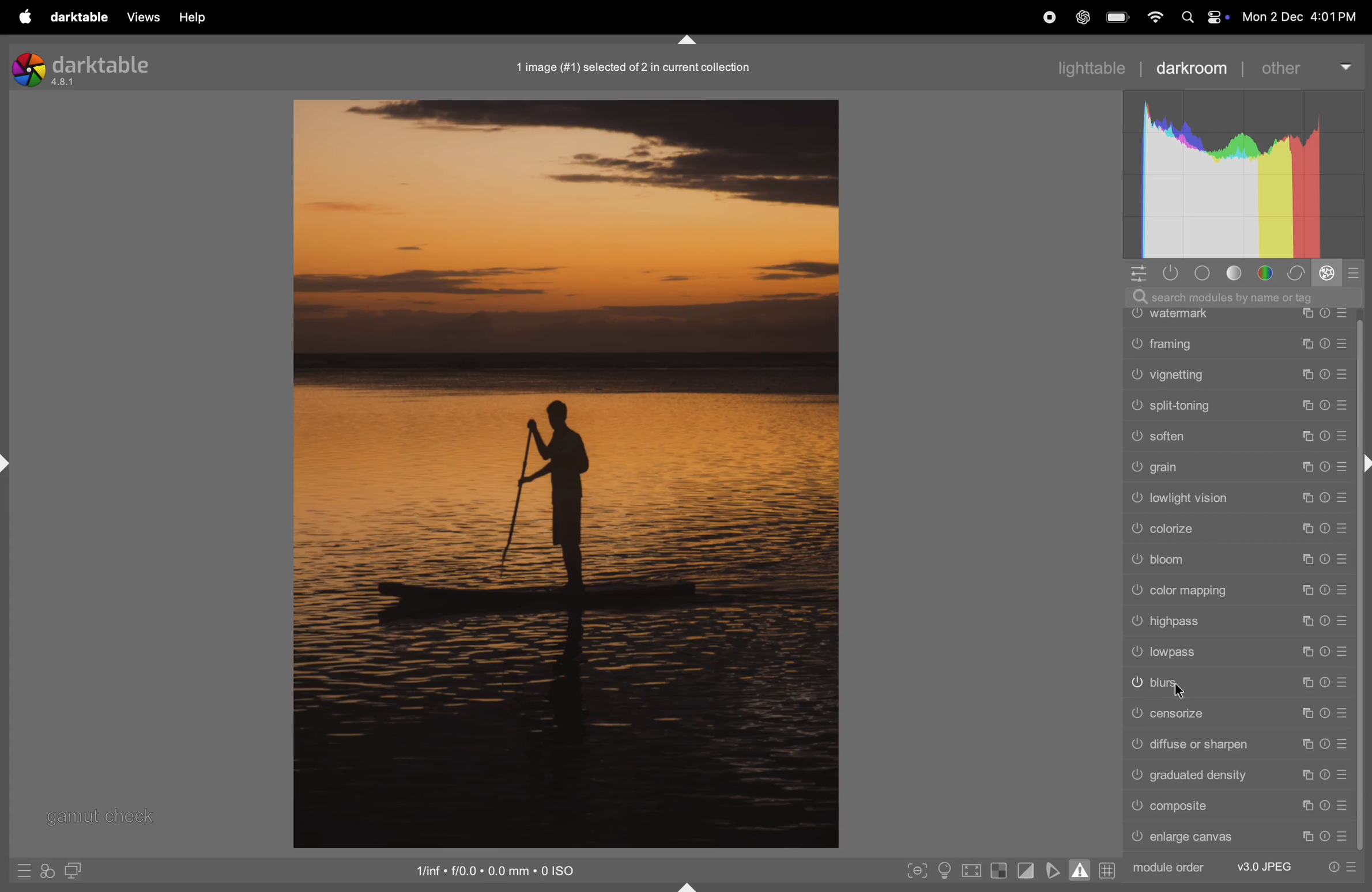 This screenshot has height=892, width=1372. Describe the element at coordinates (1234, 776) in the screenshot. I see `graduated density` at that location.